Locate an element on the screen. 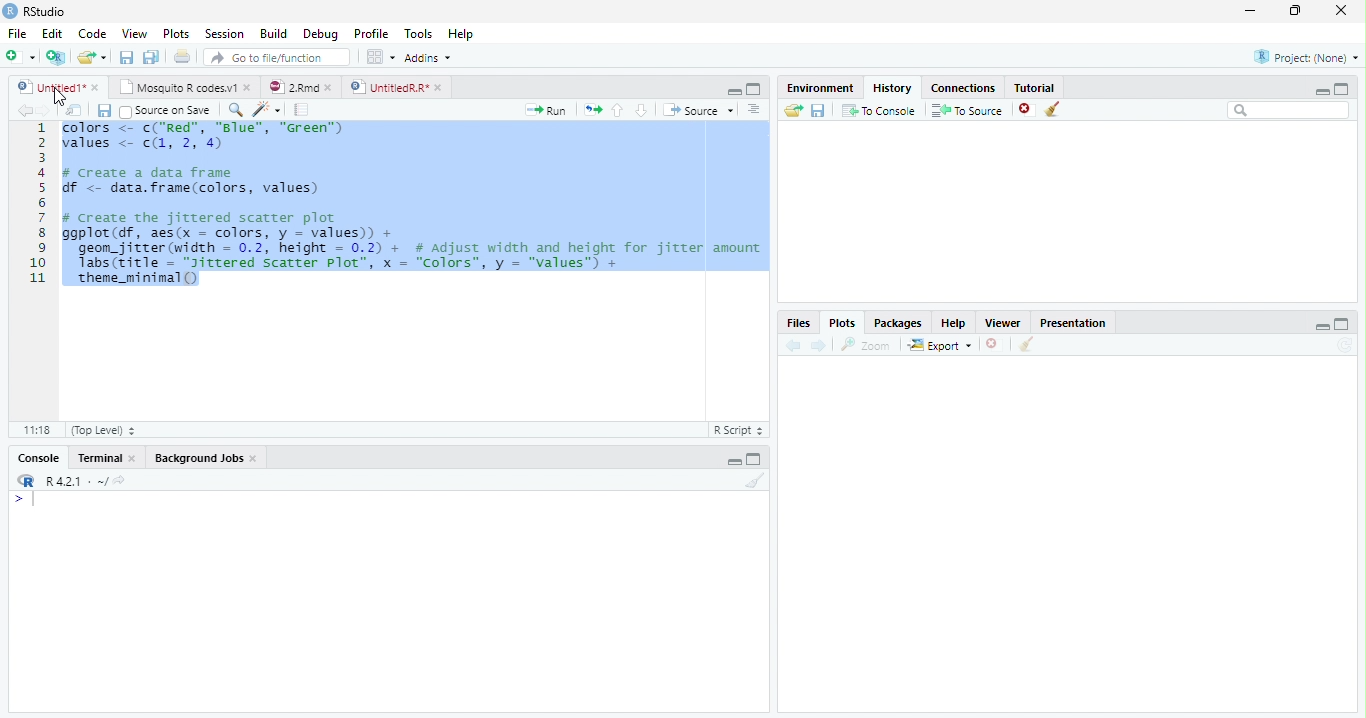  Open an existing file is located at coordinates (84, 57).